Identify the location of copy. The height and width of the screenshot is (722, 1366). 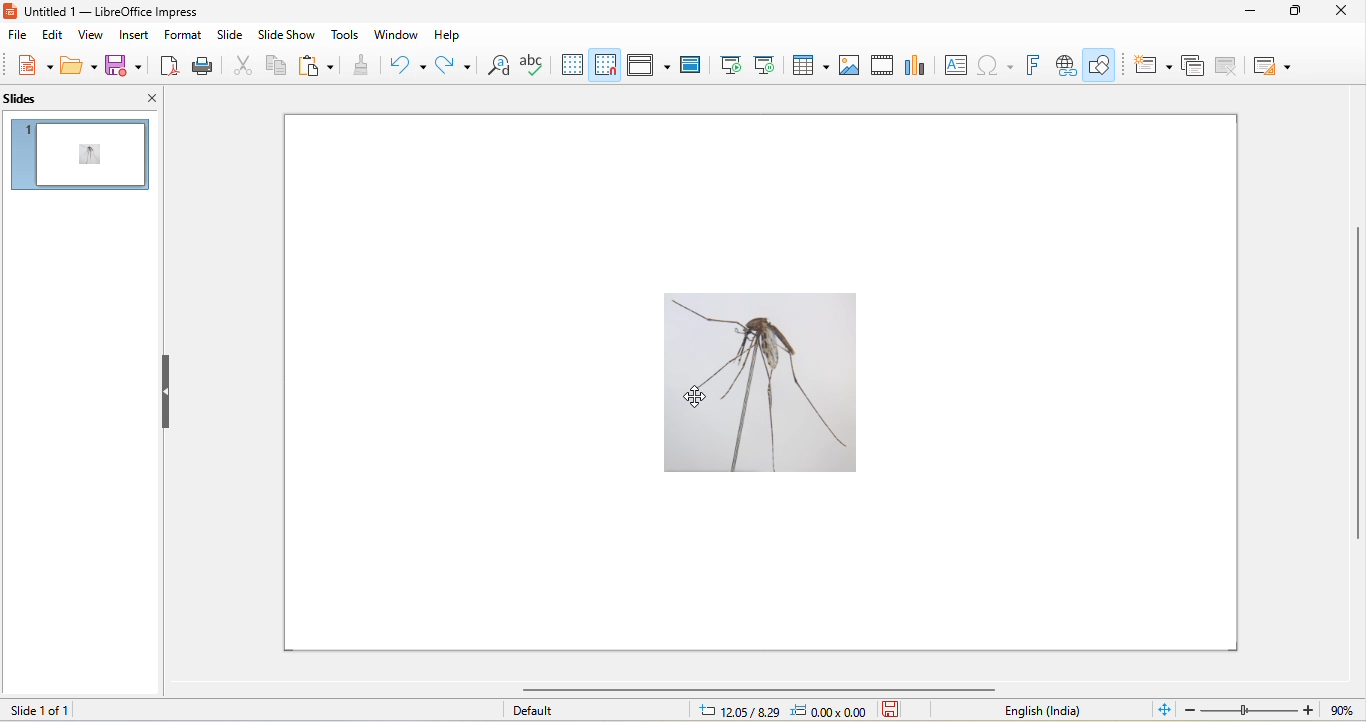
(282, 65).